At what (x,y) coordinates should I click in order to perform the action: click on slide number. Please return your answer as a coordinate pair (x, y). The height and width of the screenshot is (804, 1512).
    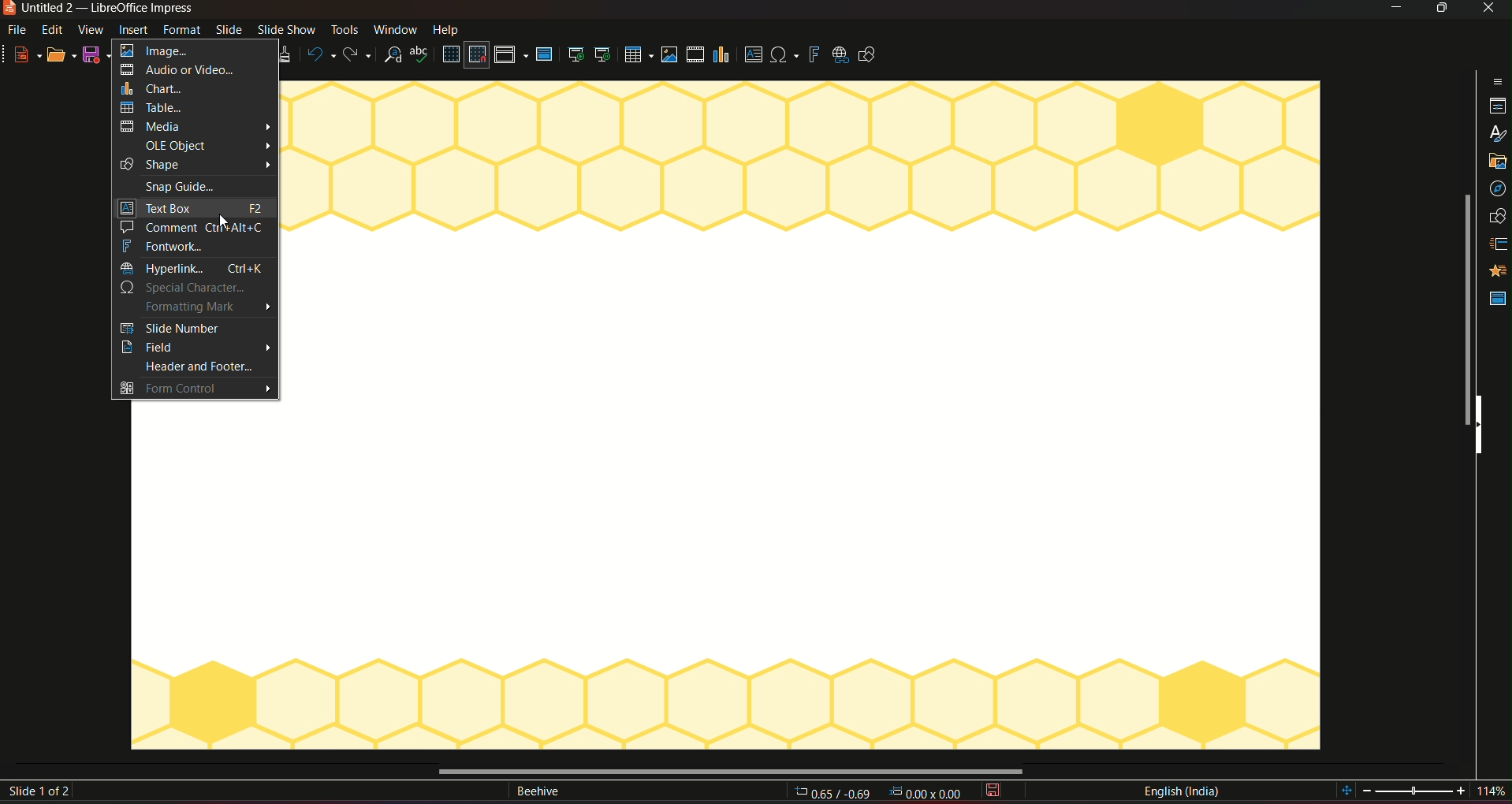
    Looking at the image, I should click on (193, 327).